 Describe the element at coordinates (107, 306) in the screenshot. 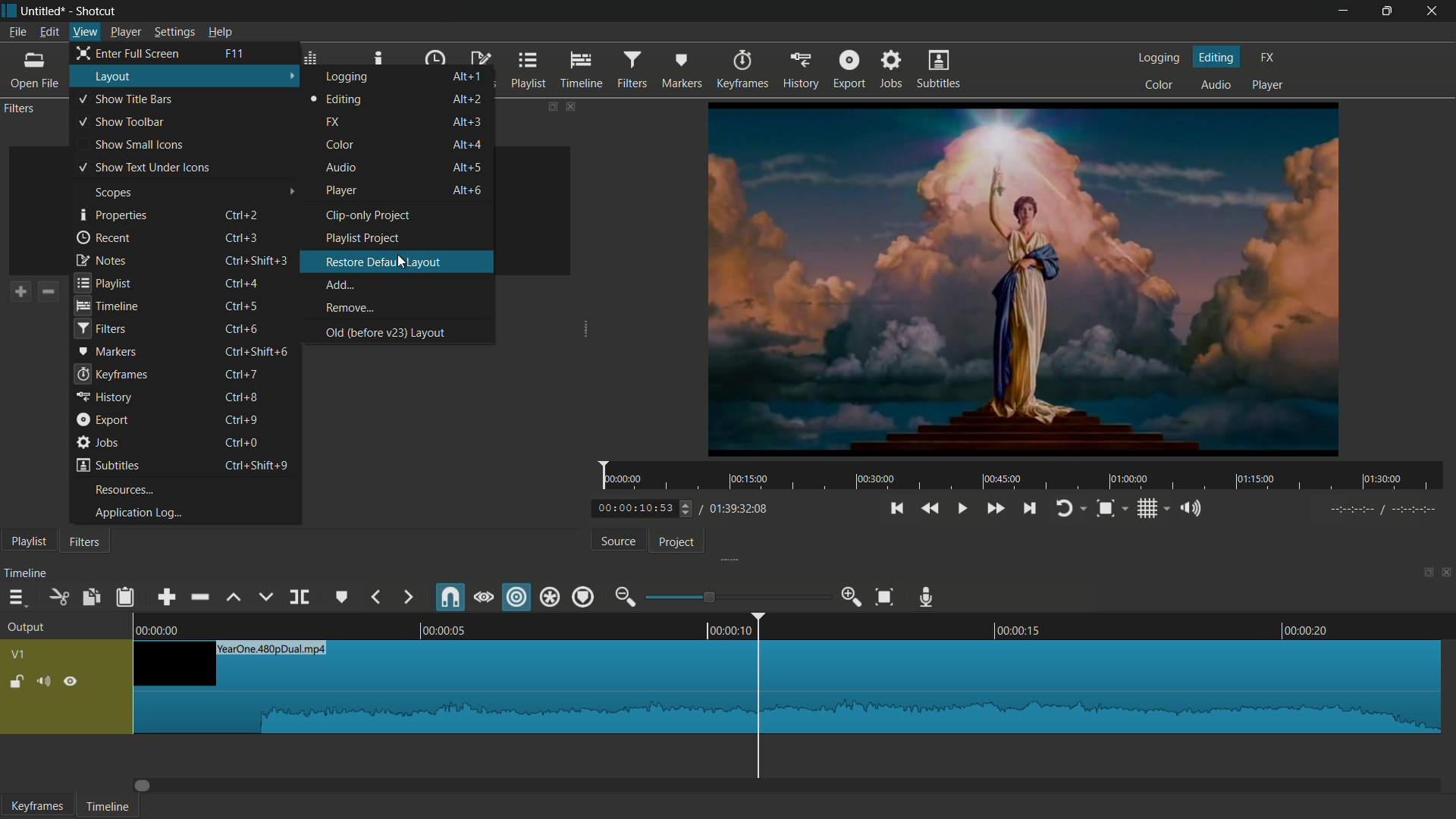

I see `timeline` at that location.